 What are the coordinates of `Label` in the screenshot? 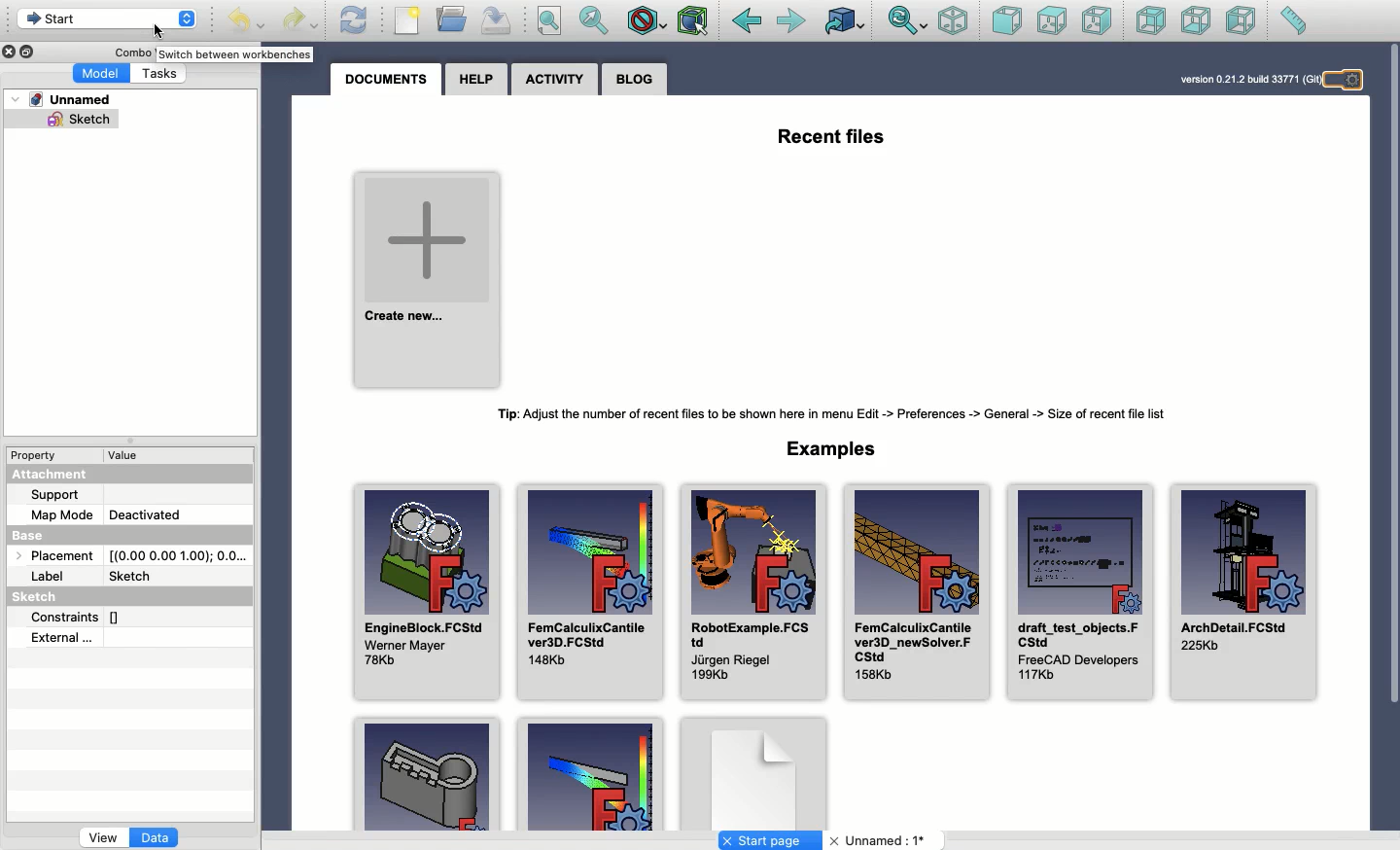 It's located at (52, 576).